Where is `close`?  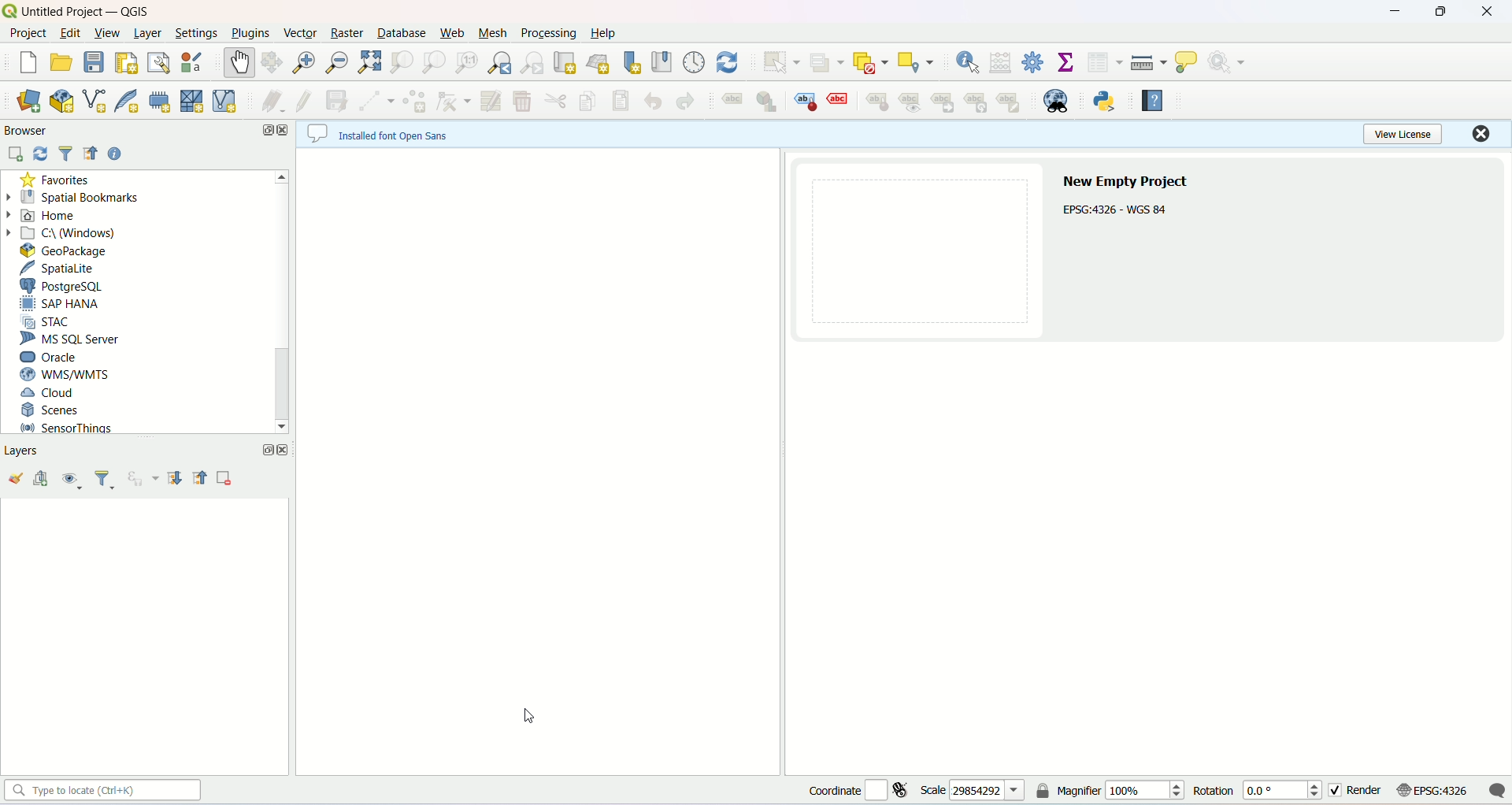 close is located at coordinates (1488, 12).